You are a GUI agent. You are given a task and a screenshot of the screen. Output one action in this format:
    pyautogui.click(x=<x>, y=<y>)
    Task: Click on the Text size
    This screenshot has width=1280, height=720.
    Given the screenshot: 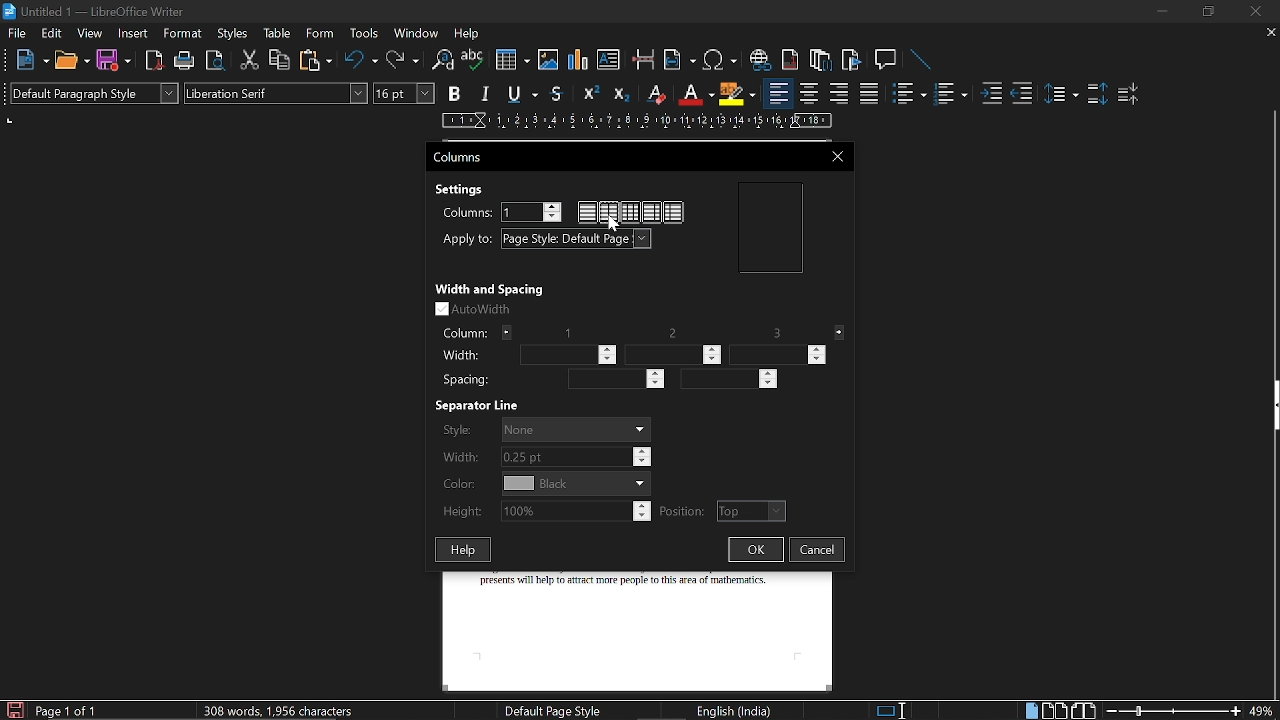 What is the action you would take?
    pyautogui.click(x=403, y=93)
    